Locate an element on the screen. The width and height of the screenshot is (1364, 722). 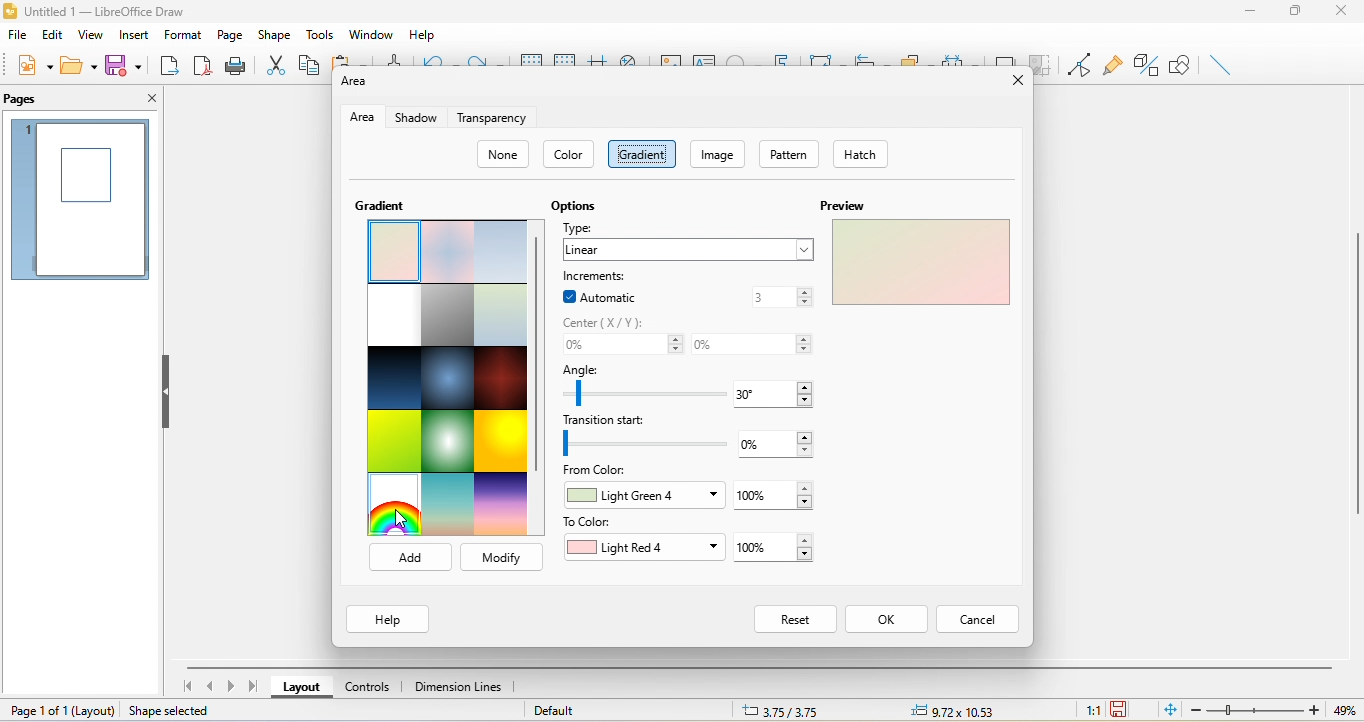
title is located at coordinates (112, 12).